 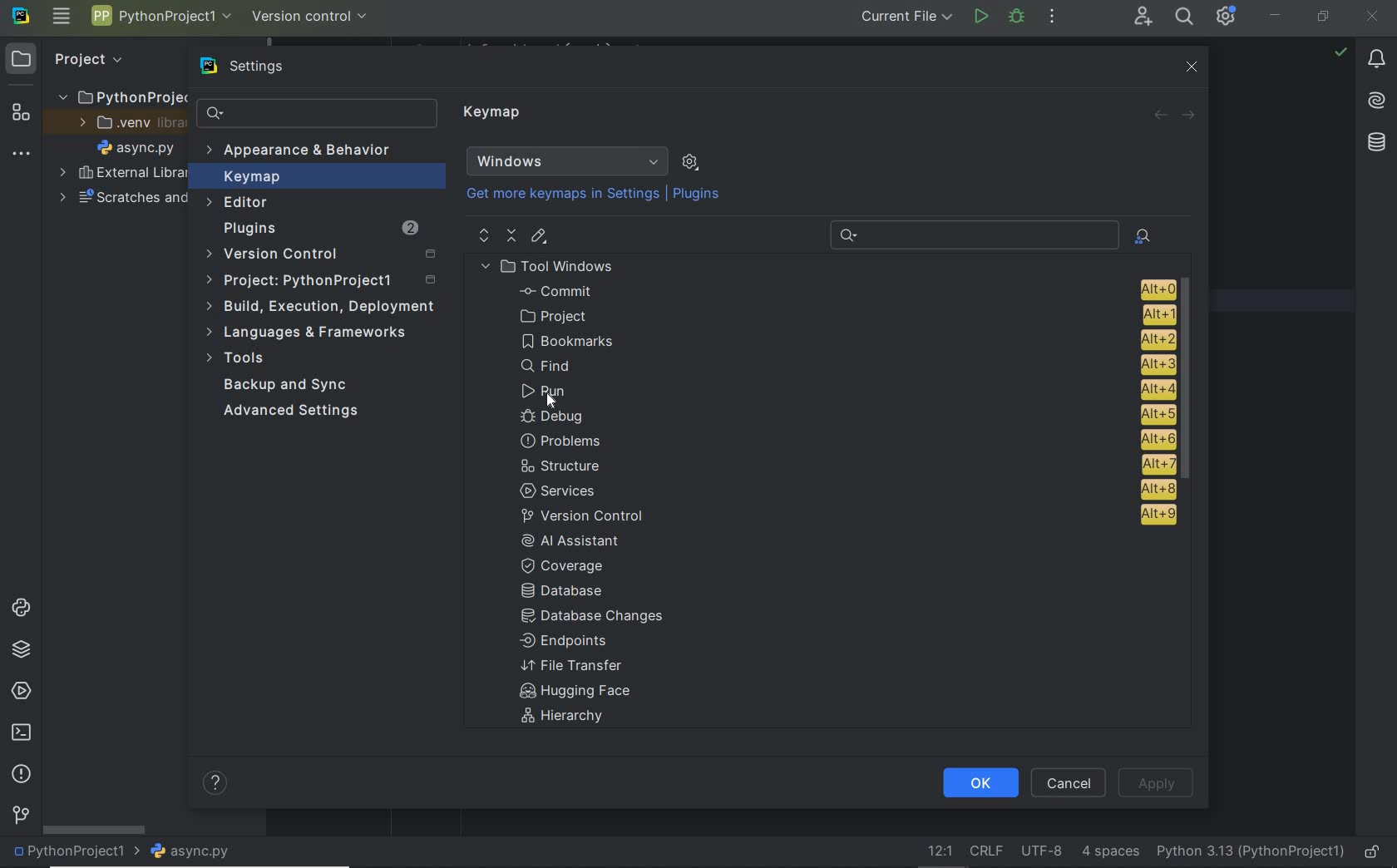 I want to click on File Transfer, so click(x=572, y=666).